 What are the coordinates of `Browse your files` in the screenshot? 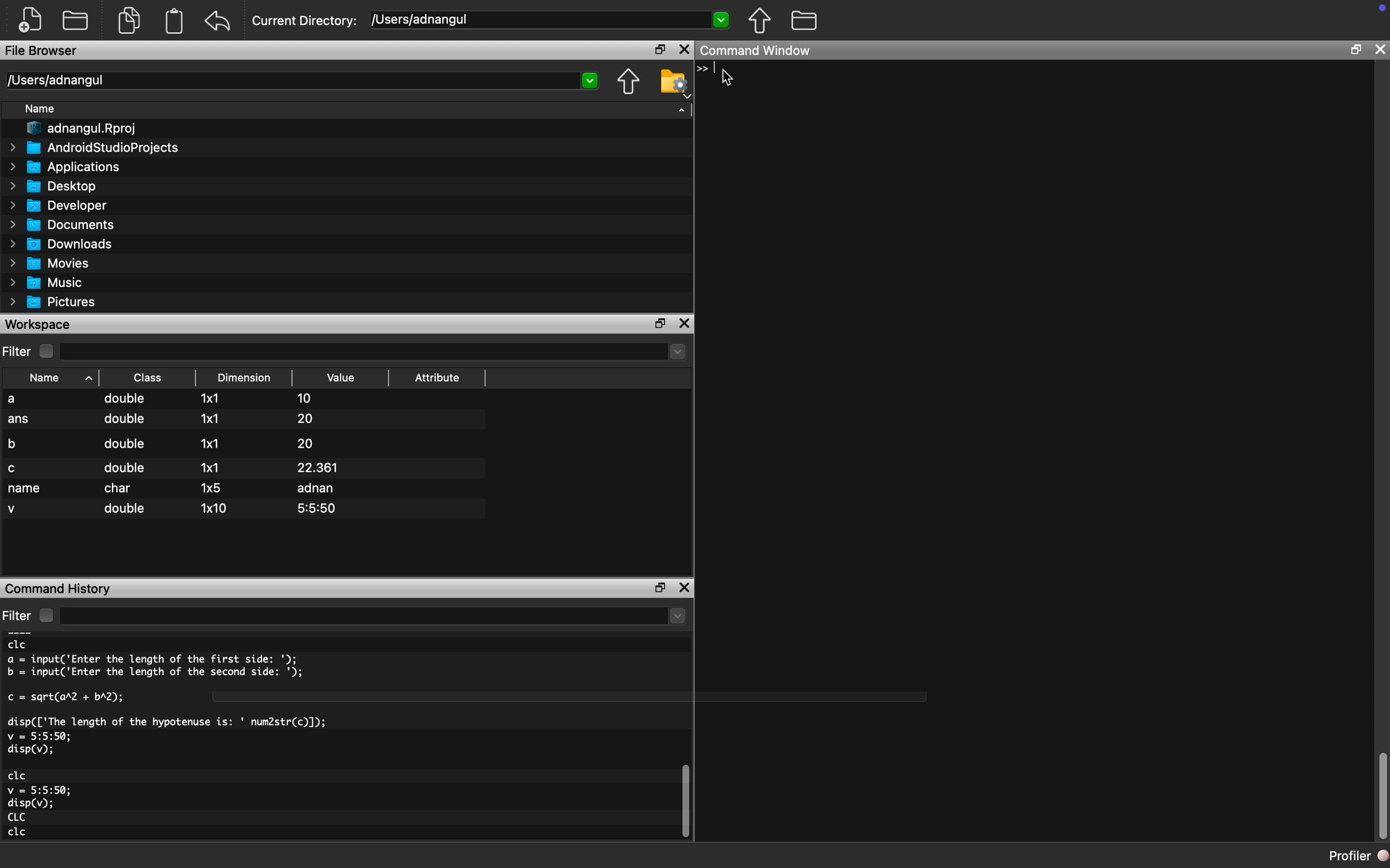 It's located at (673, 83).